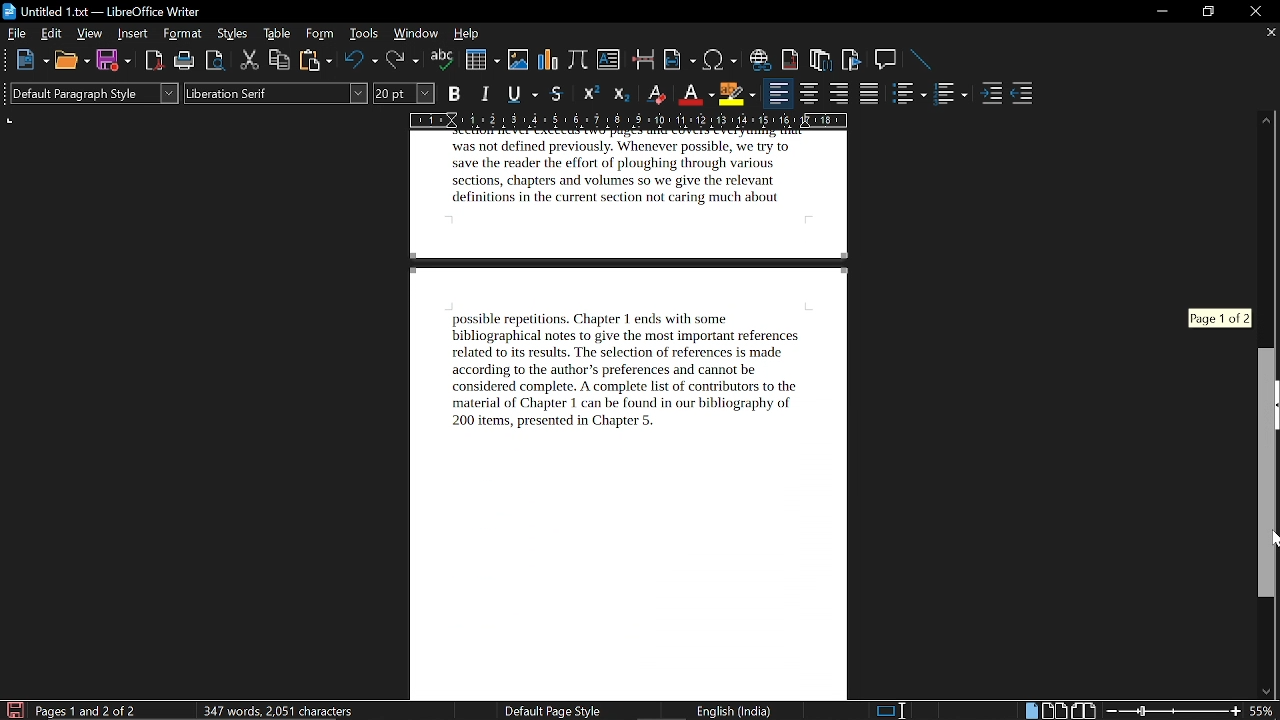 The width and height of the screenshot is (1280, 720). What do you see at coordinates (1267, 474) in the screenshot?
I see `vertical scrollbar` at bounding box center [1267, 474].